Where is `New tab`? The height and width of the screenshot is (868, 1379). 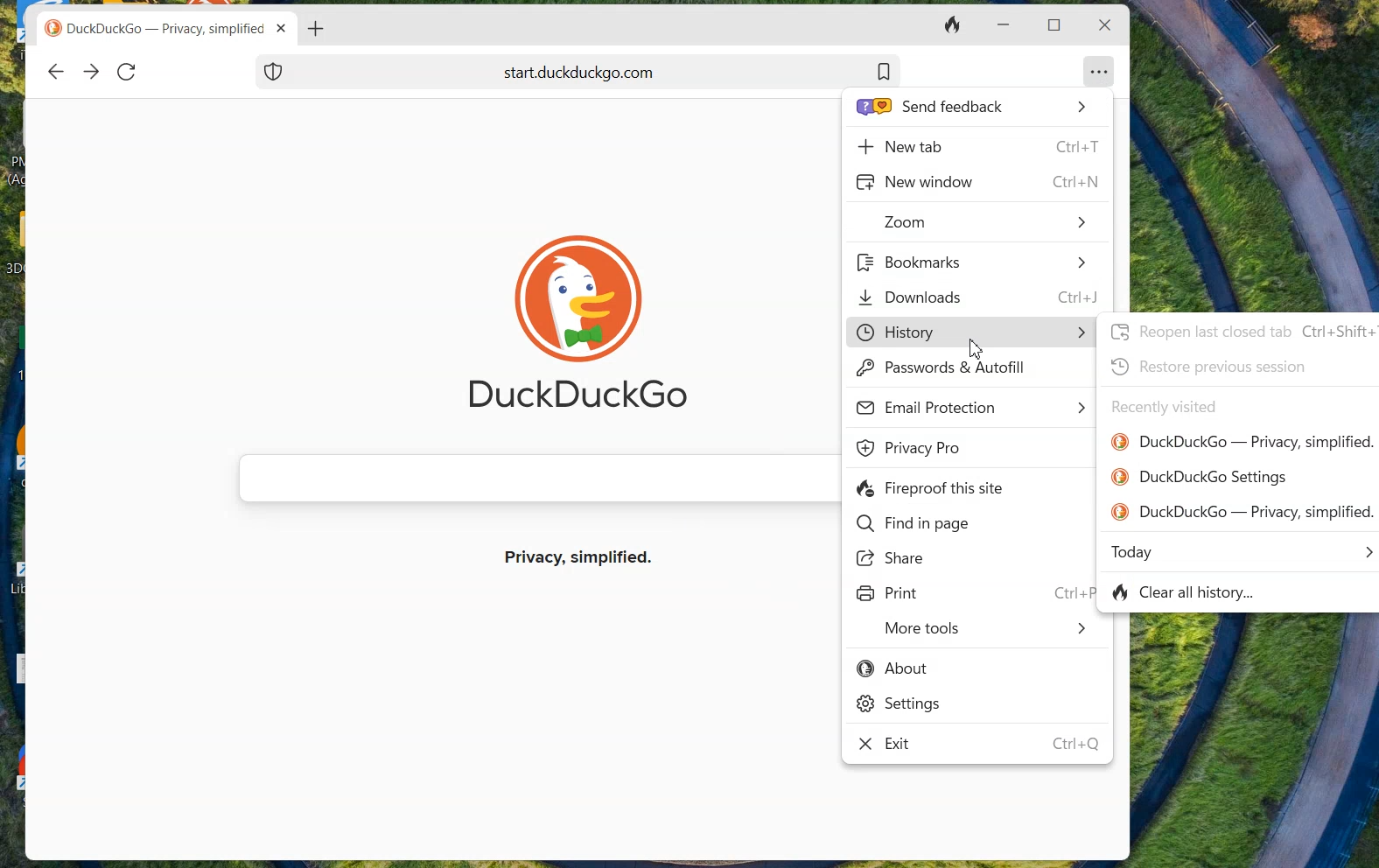 New tab is located at coordinates (976, 145).